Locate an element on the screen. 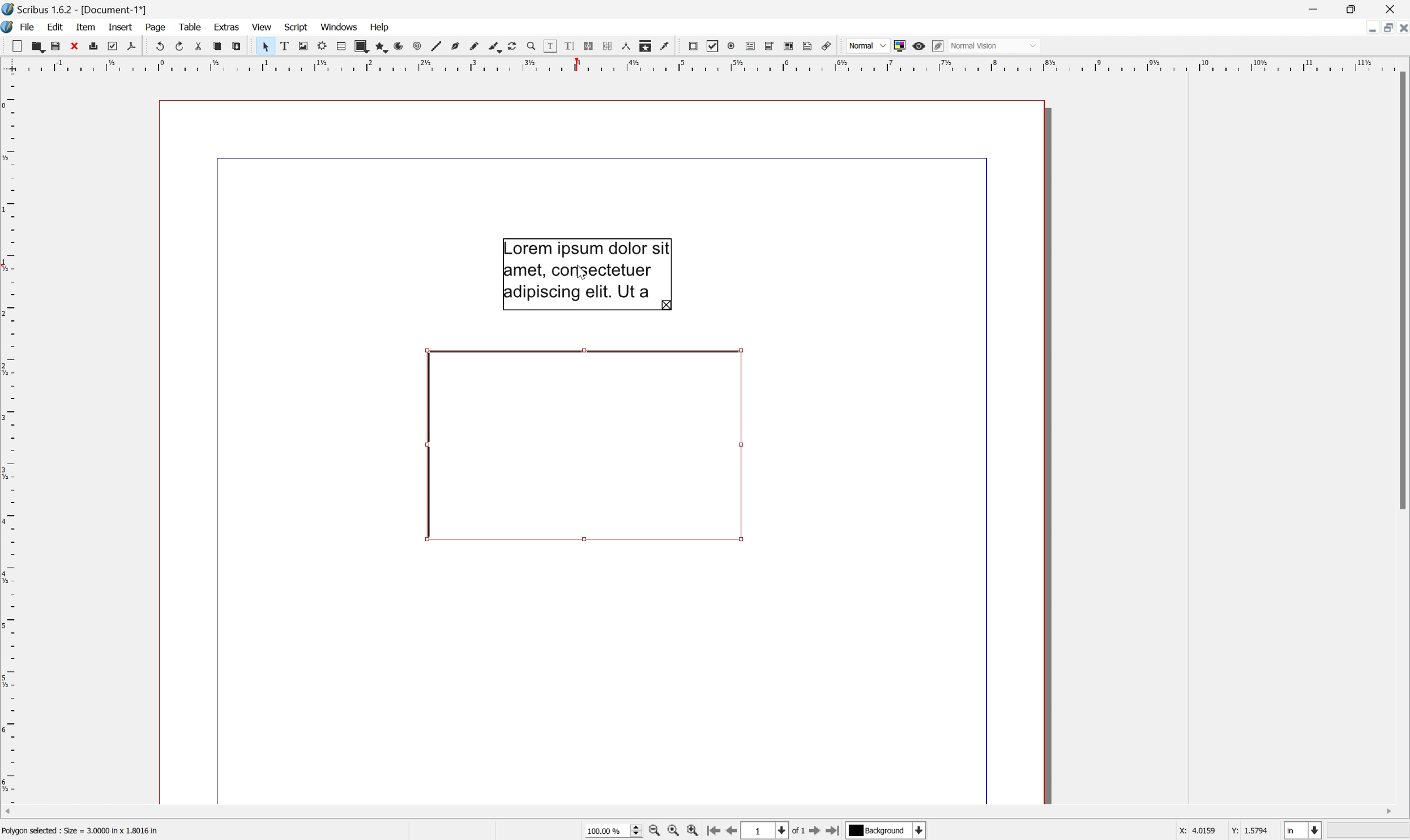 The width and height of the screenshot is (1410, 840). Undo is located at coordinates (156, 46).